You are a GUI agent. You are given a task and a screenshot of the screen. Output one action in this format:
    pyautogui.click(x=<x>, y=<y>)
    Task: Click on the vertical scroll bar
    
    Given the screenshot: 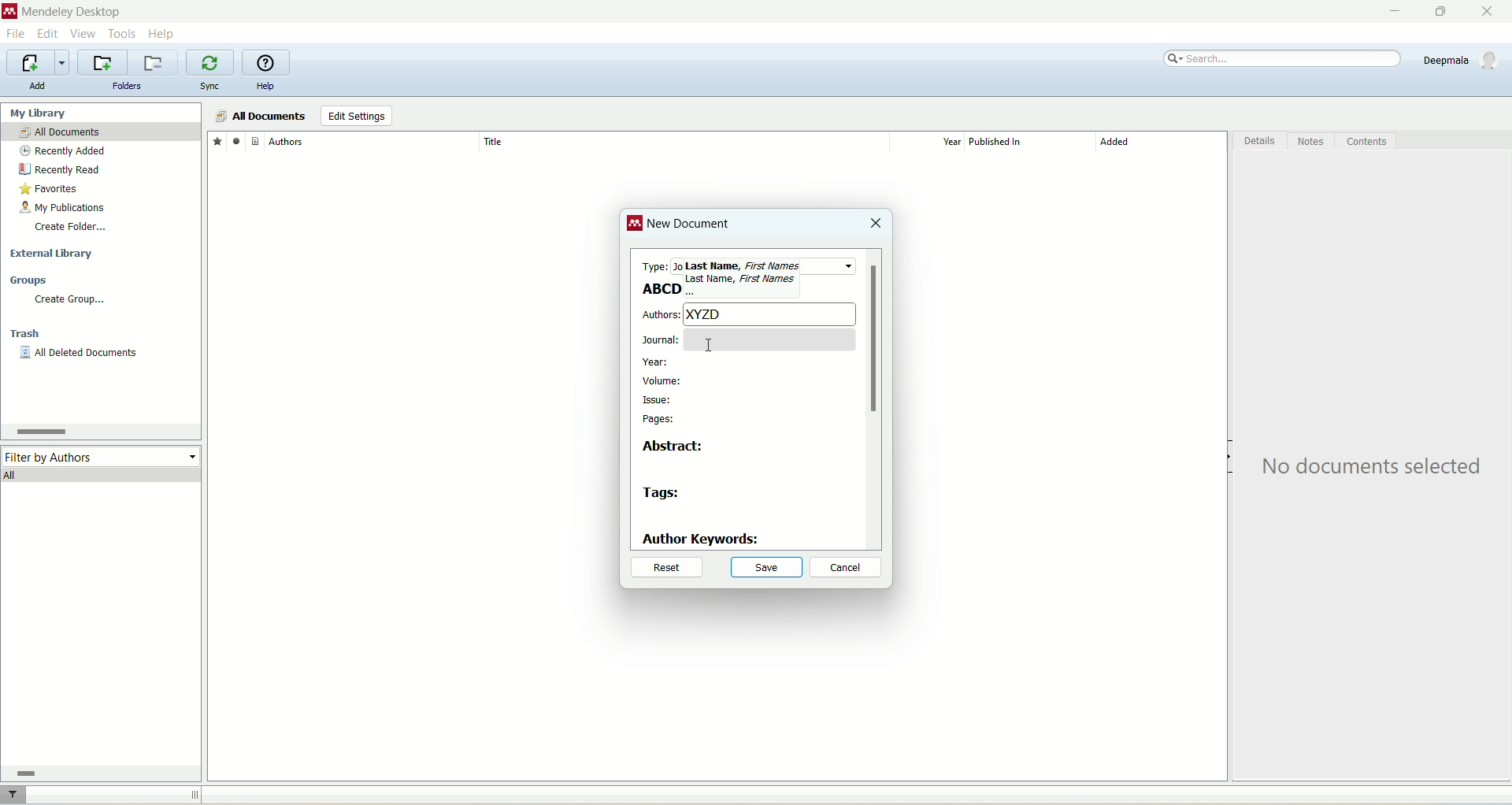 What is the action you would take?
    pyautogui.click(x=873, y=399)
    